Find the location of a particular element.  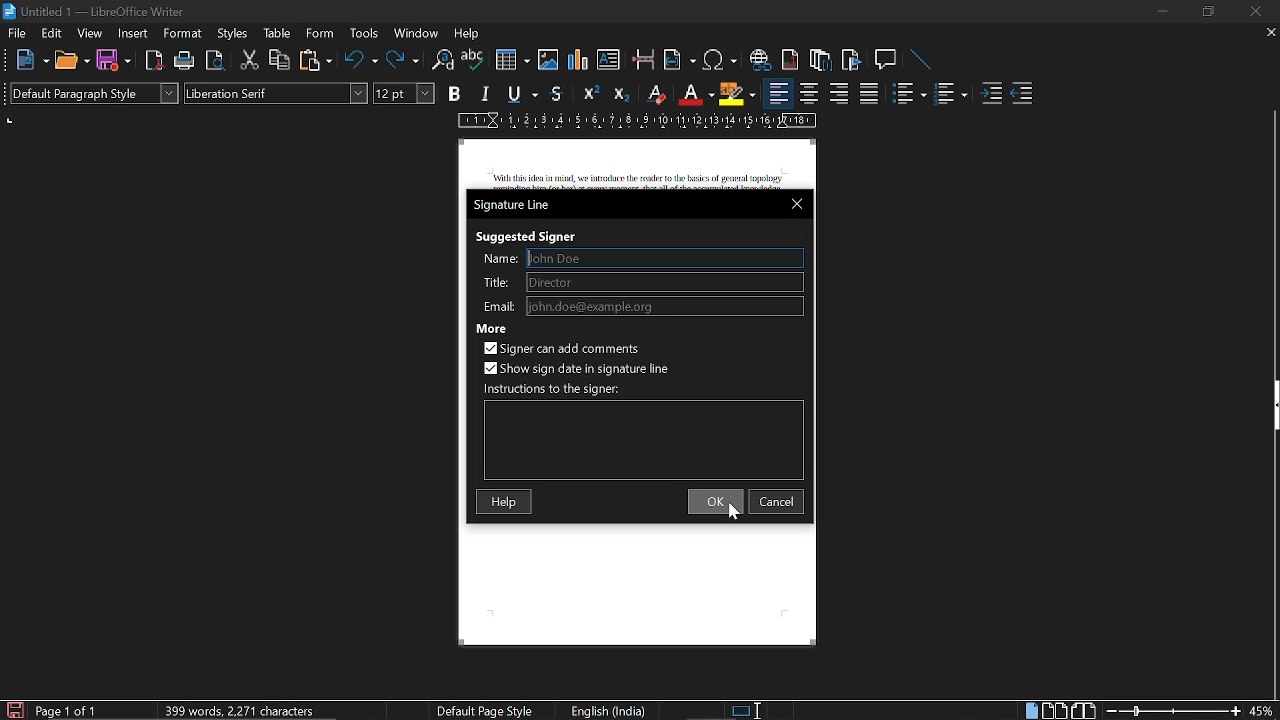

insert footnote is located at coordinates (821, 58).